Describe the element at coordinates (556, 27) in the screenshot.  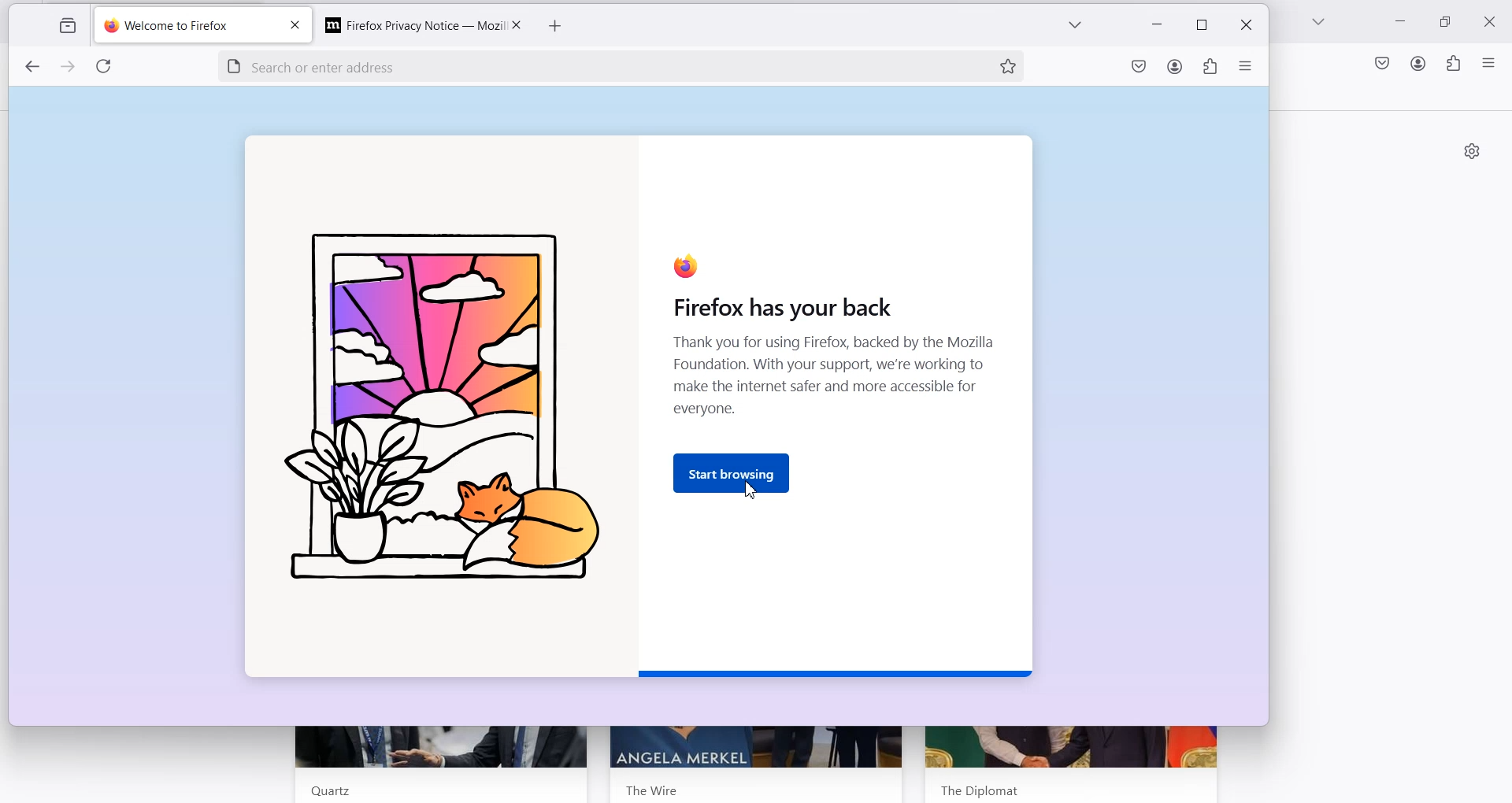
I see `add new tab` at that location.